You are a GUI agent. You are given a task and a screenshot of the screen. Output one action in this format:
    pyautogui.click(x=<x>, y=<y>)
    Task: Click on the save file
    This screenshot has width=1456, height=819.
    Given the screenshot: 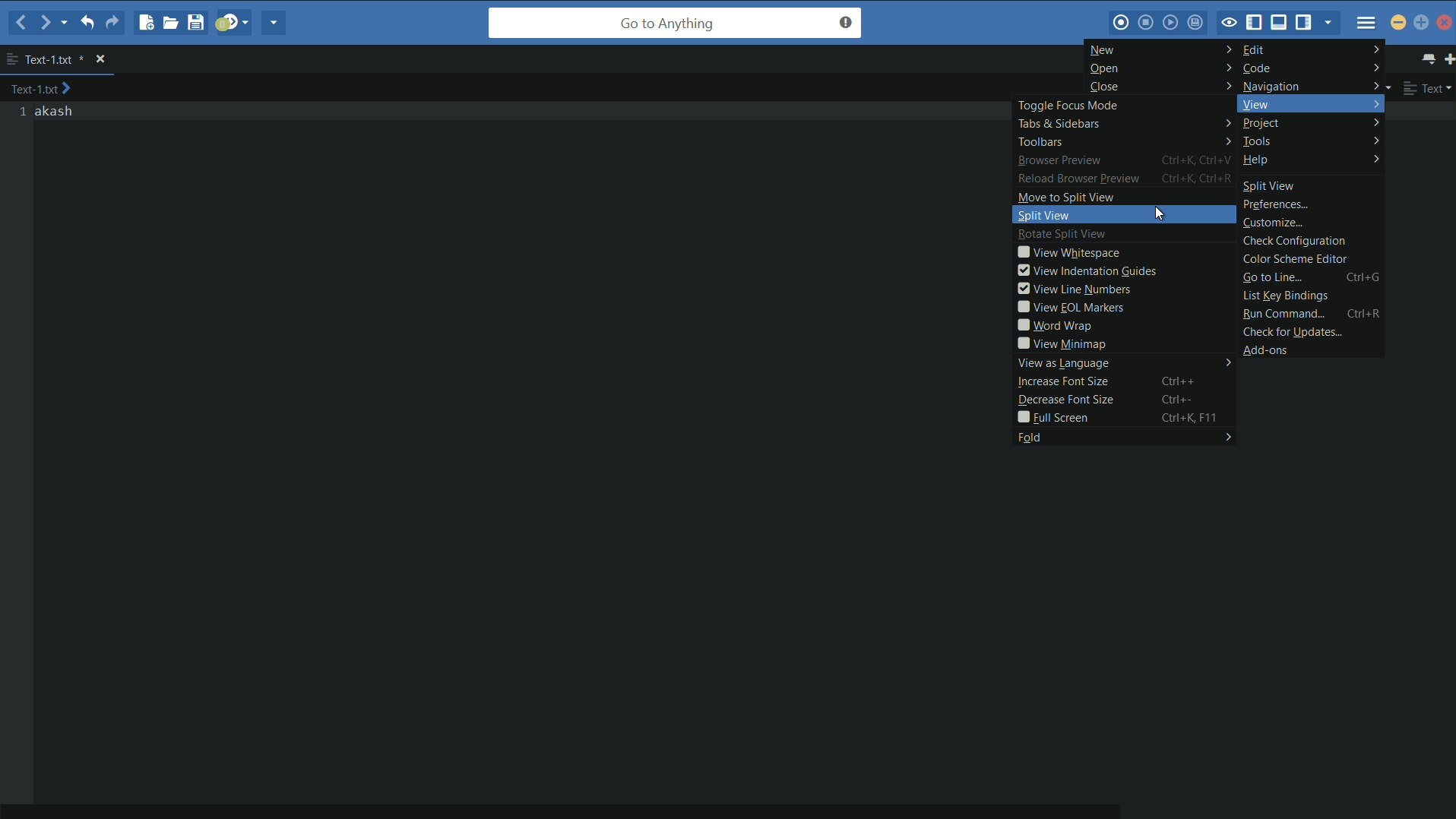 What is the action you would take?
    pyautogui.click(x=198, y=22)
    